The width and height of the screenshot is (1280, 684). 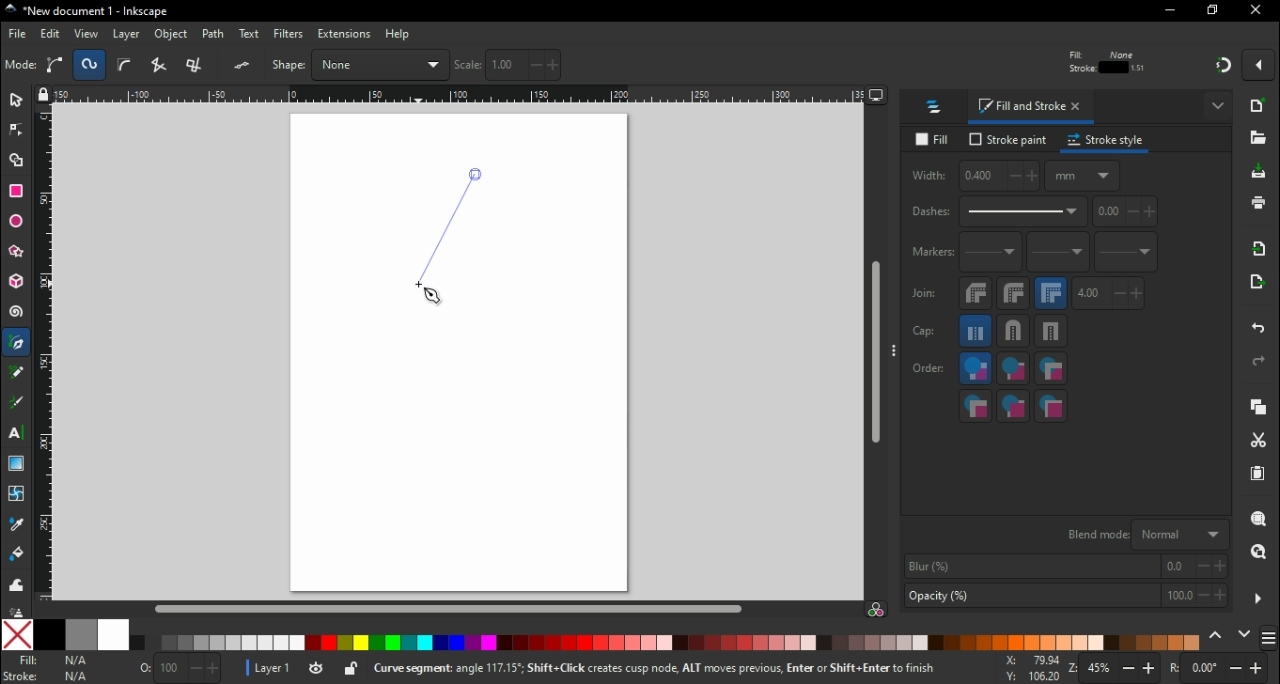 I want to click on gradient tool, so click(x=16, y=465).